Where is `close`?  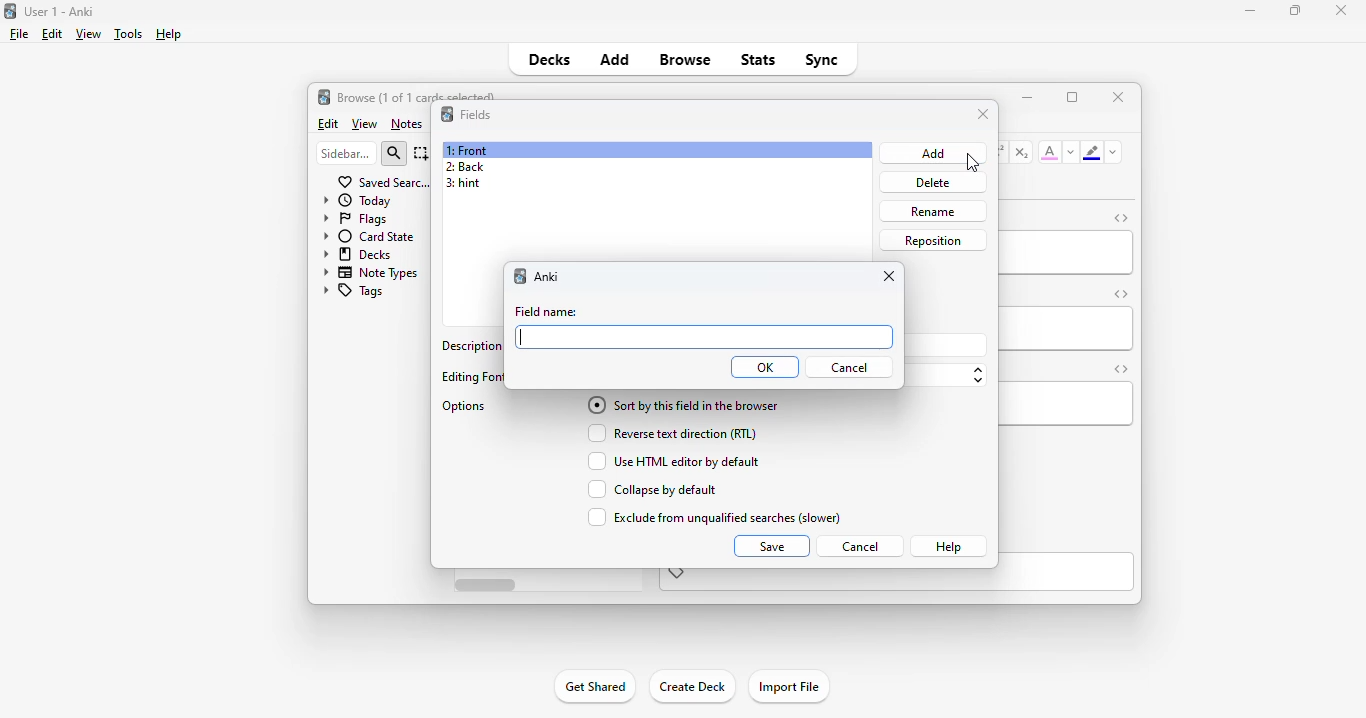
close is located at coordinates (1119, 96).